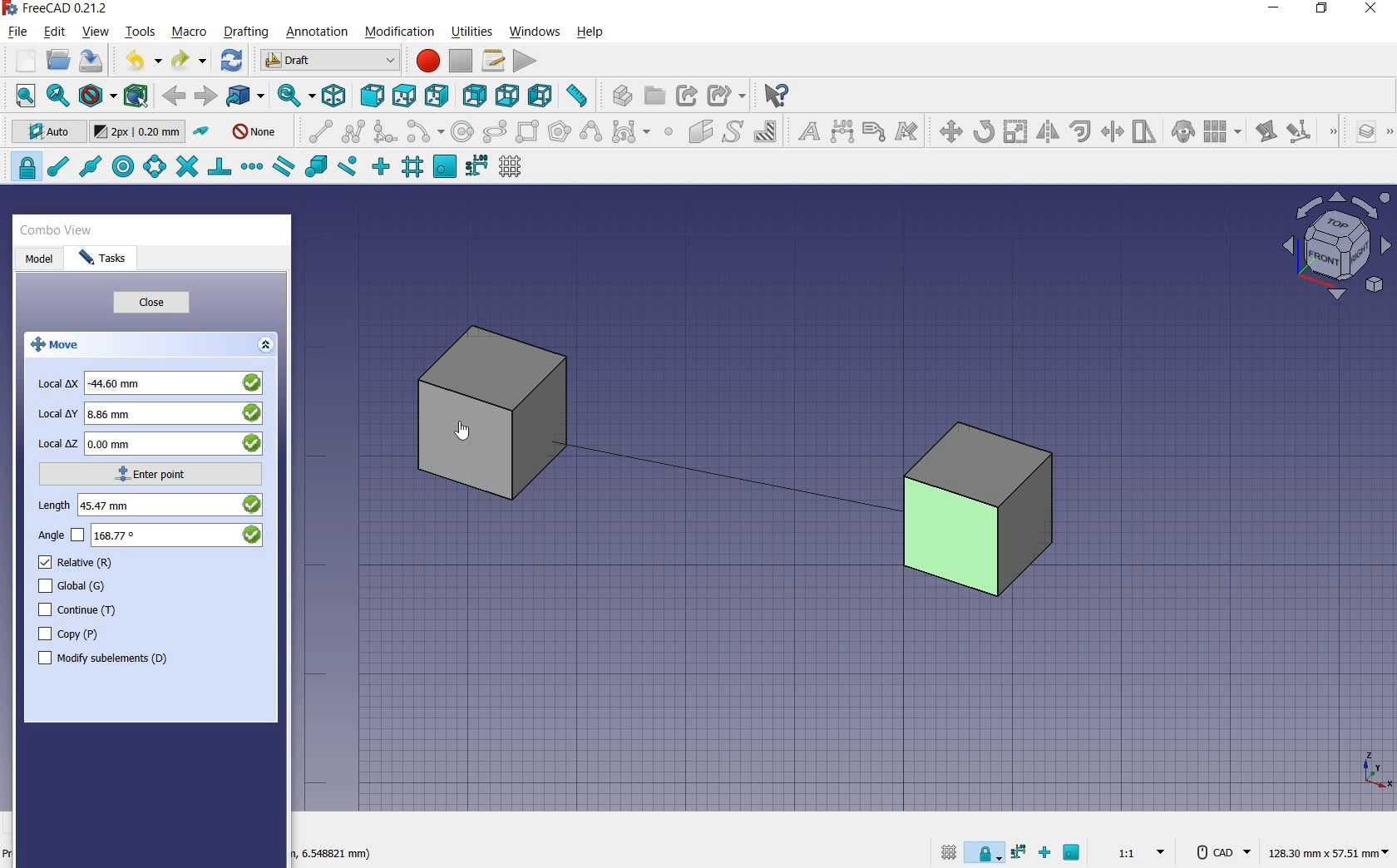  What do you see at coordinates (669, 133) in the screenshot?
I see `point` at bounding box center [669, 133].